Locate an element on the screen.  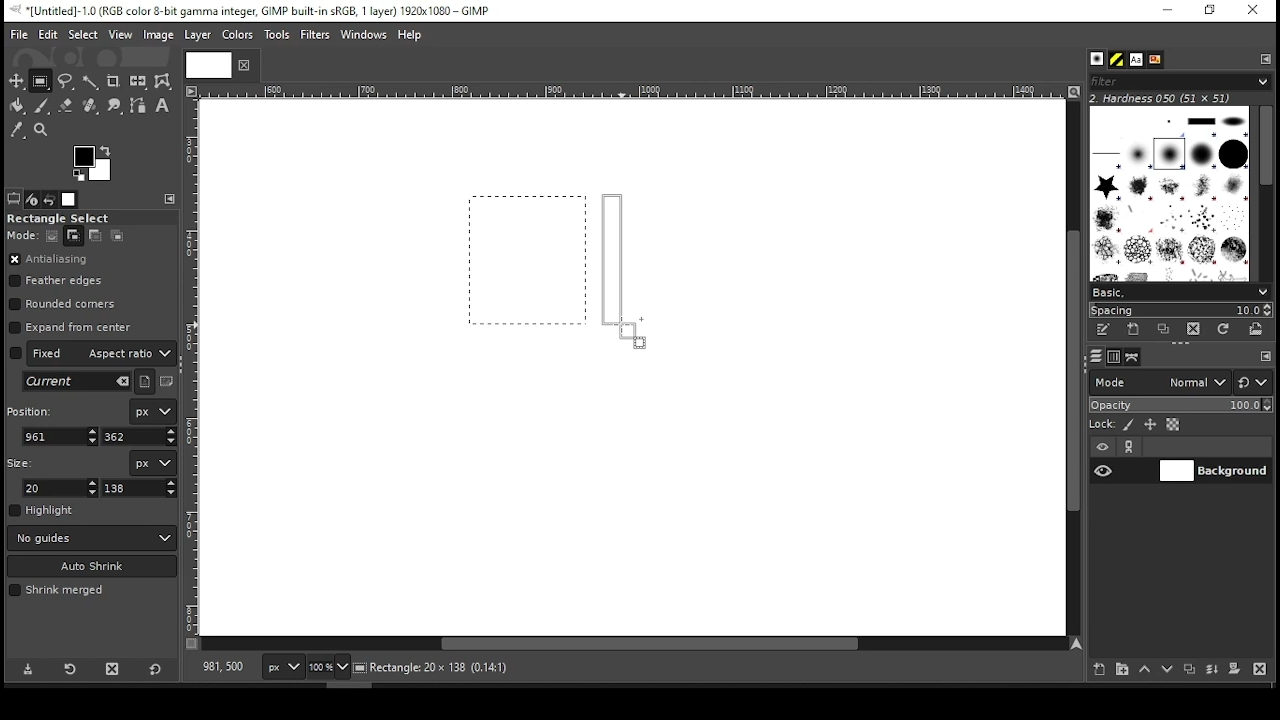
edit is located at coordinates (48, 34).